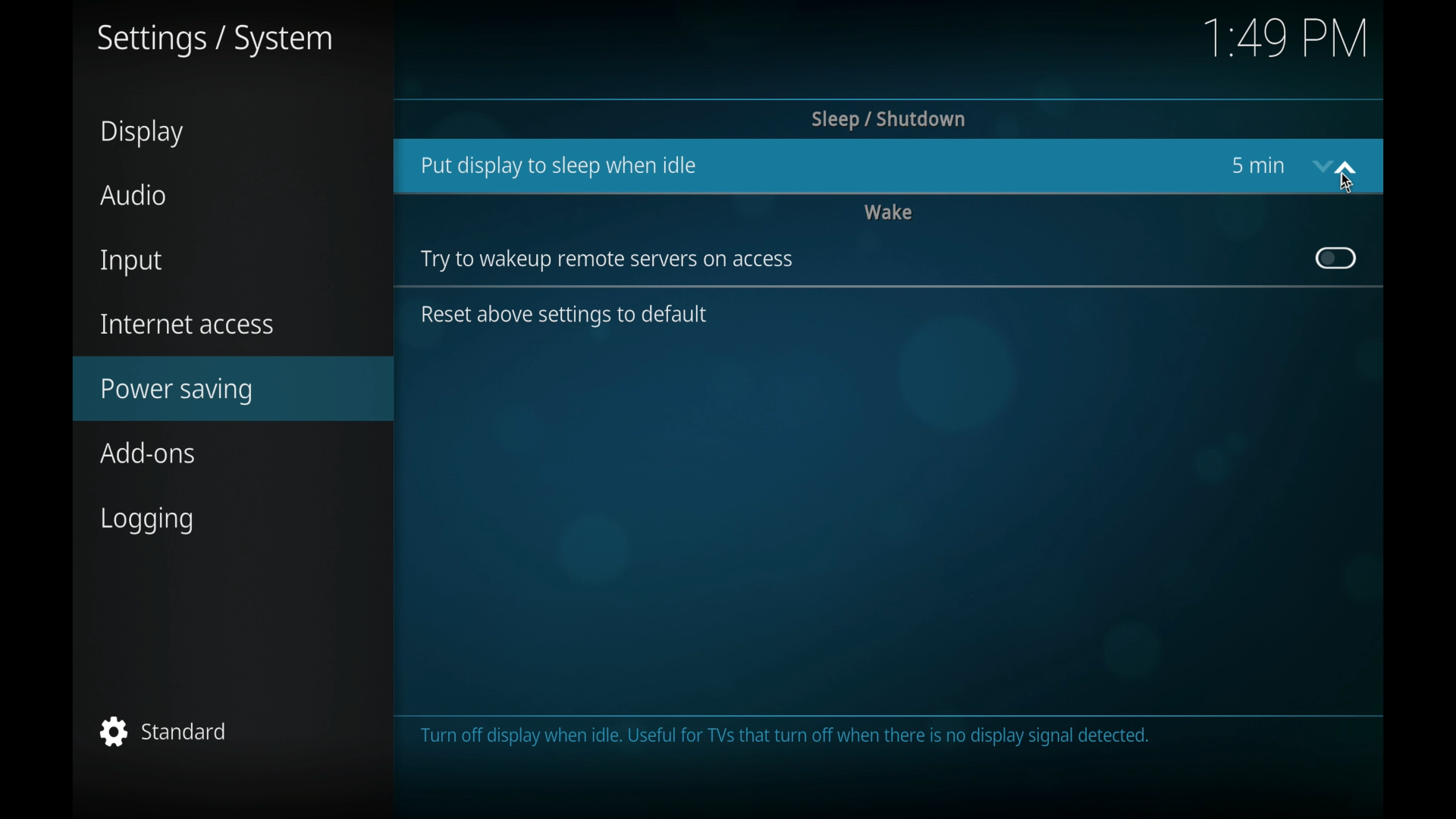  Describe the element at coordinates (558, 166) in the screenshot. I see `put display to sleep when idle` at that location.